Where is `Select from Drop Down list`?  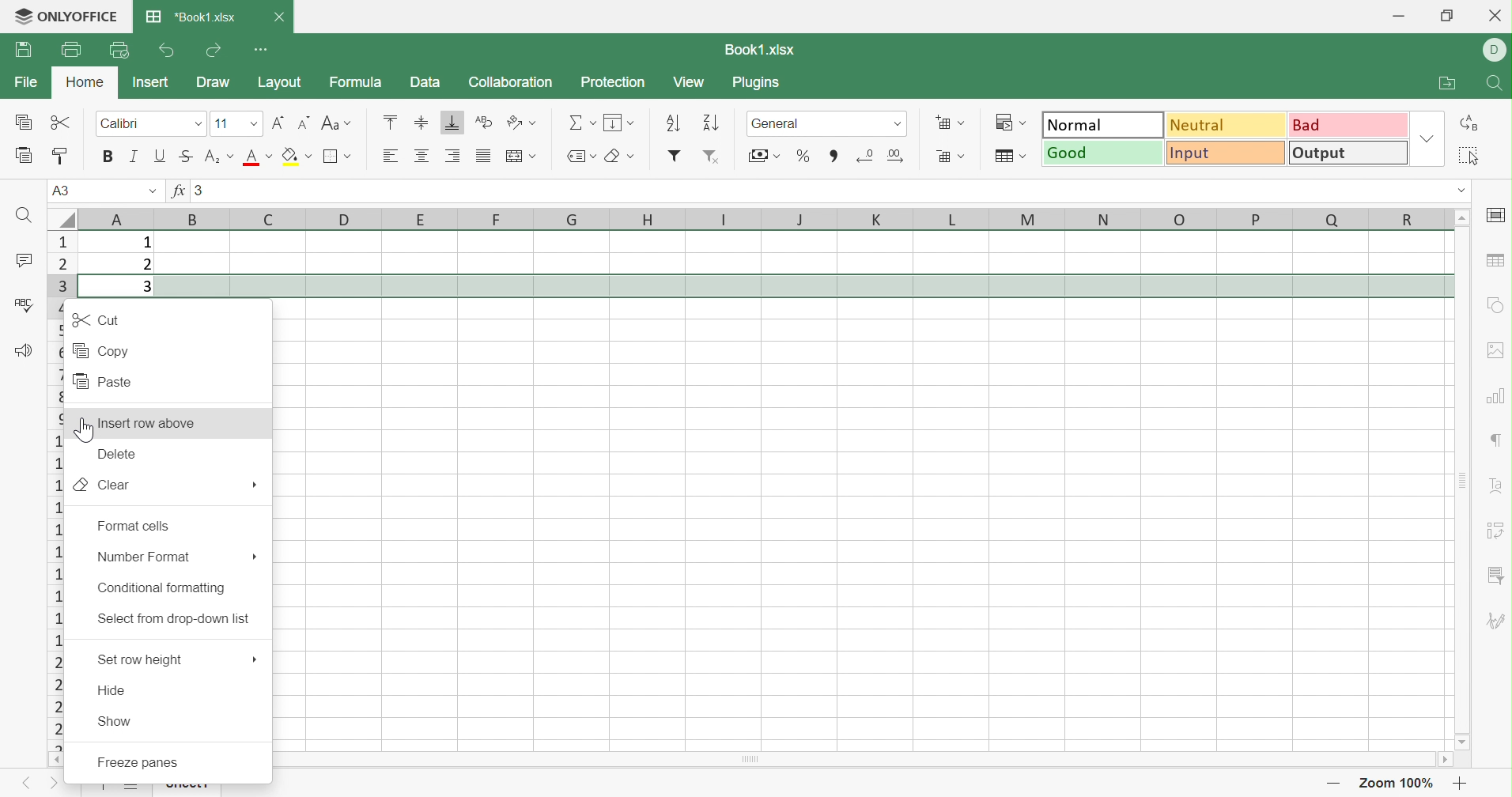
Select from Drop Down list is located at coordinates (173, 618).